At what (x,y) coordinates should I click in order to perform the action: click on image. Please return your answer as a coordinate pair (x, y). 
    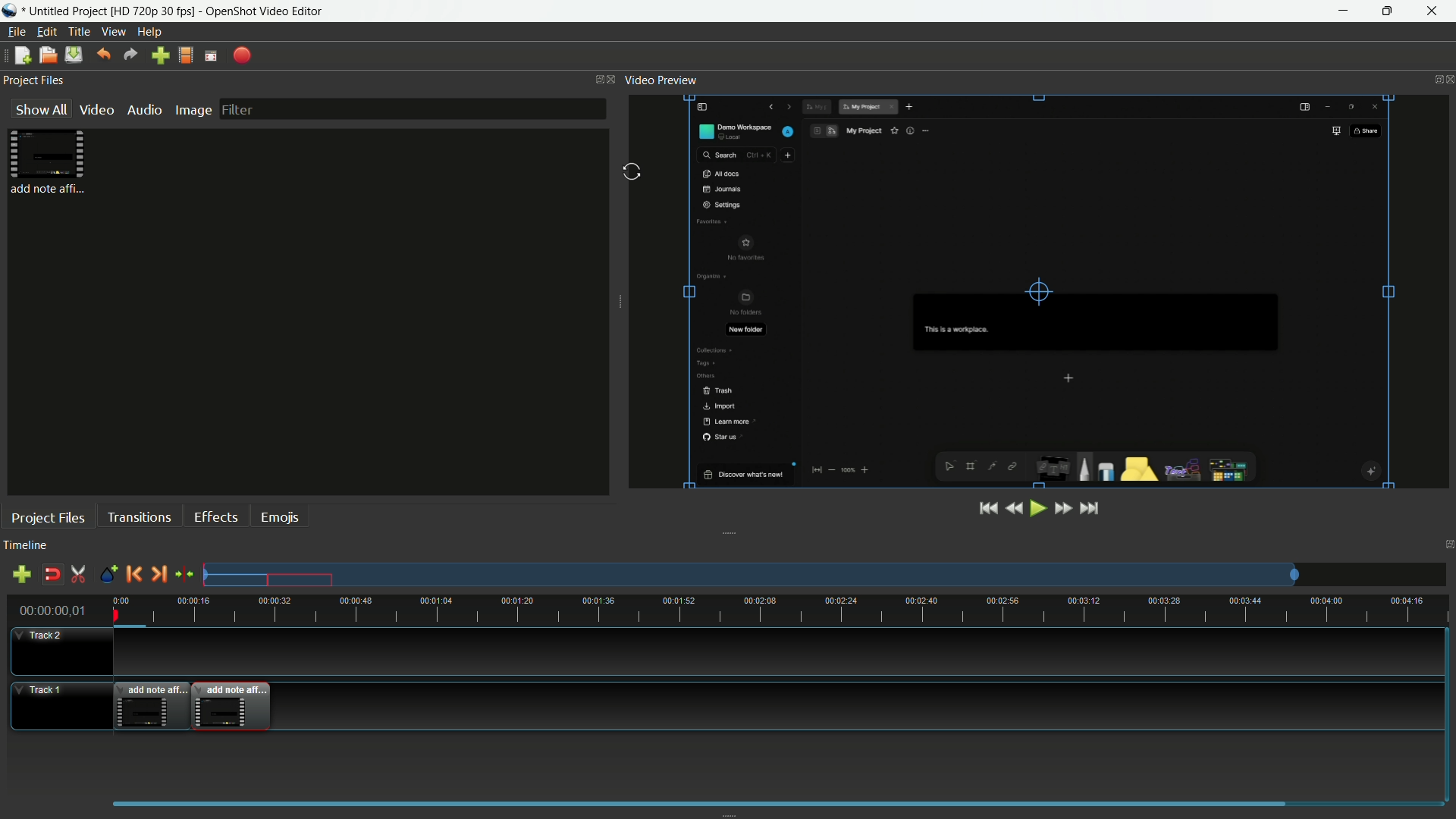
    Looking at the image, I should click on (193, 109).